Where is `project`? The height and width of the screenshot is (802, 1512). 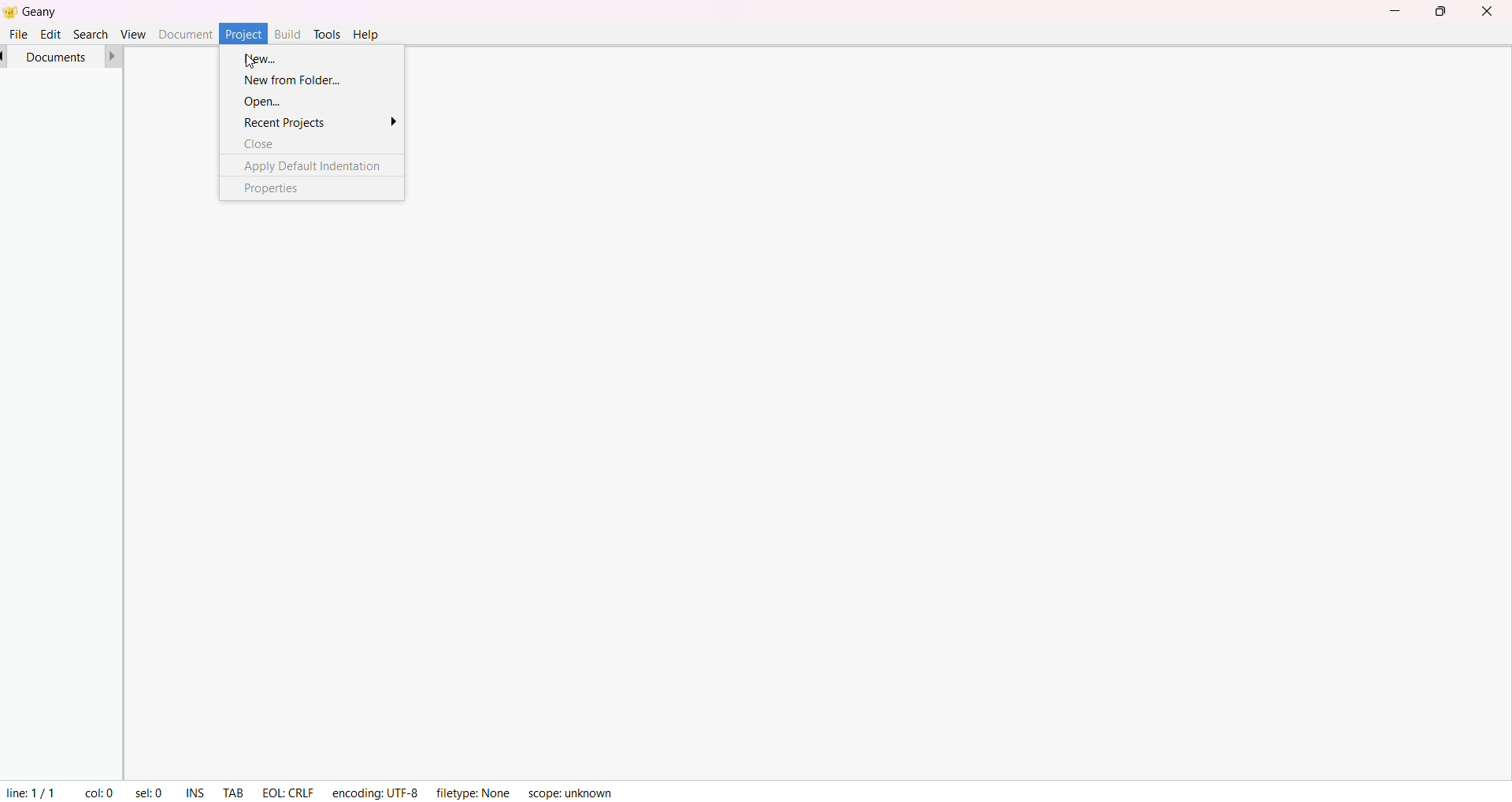 project is located at coordinates (243, 34).